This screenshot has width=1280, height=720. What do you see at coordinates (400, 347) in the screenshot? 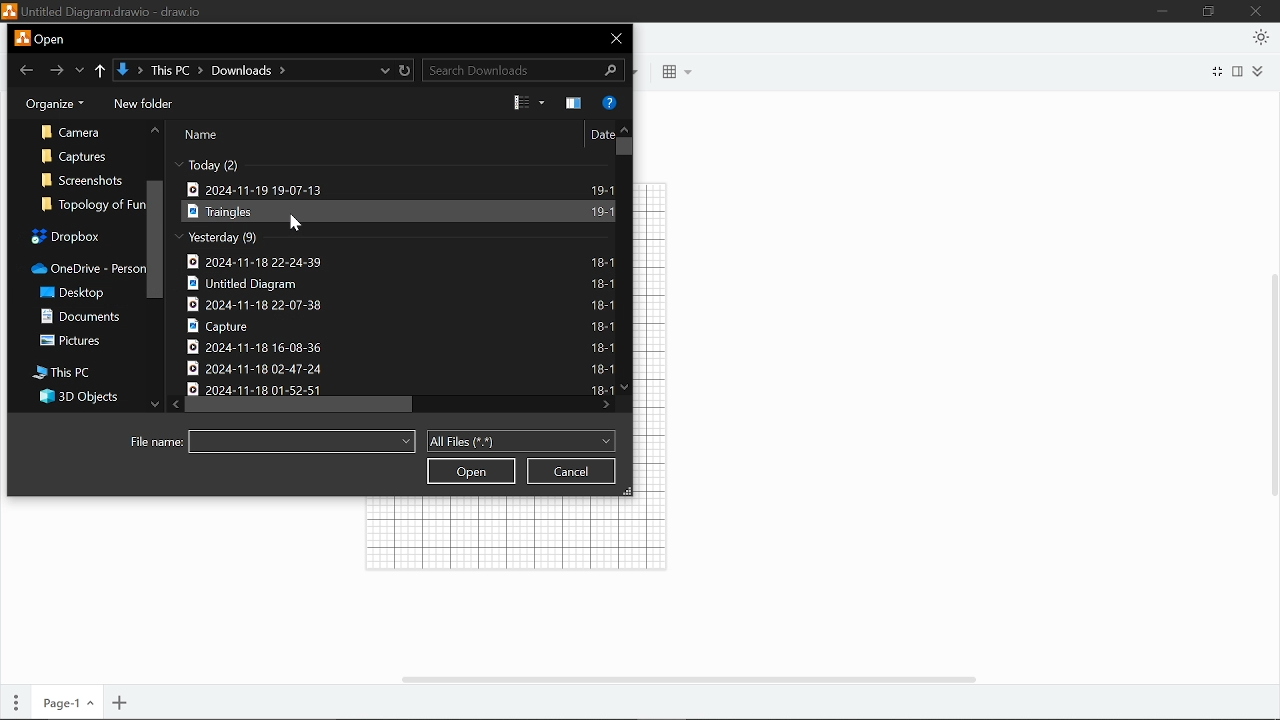
I see `2024-11-18 16-08-36 18-1` at bounding box center [400, 347].